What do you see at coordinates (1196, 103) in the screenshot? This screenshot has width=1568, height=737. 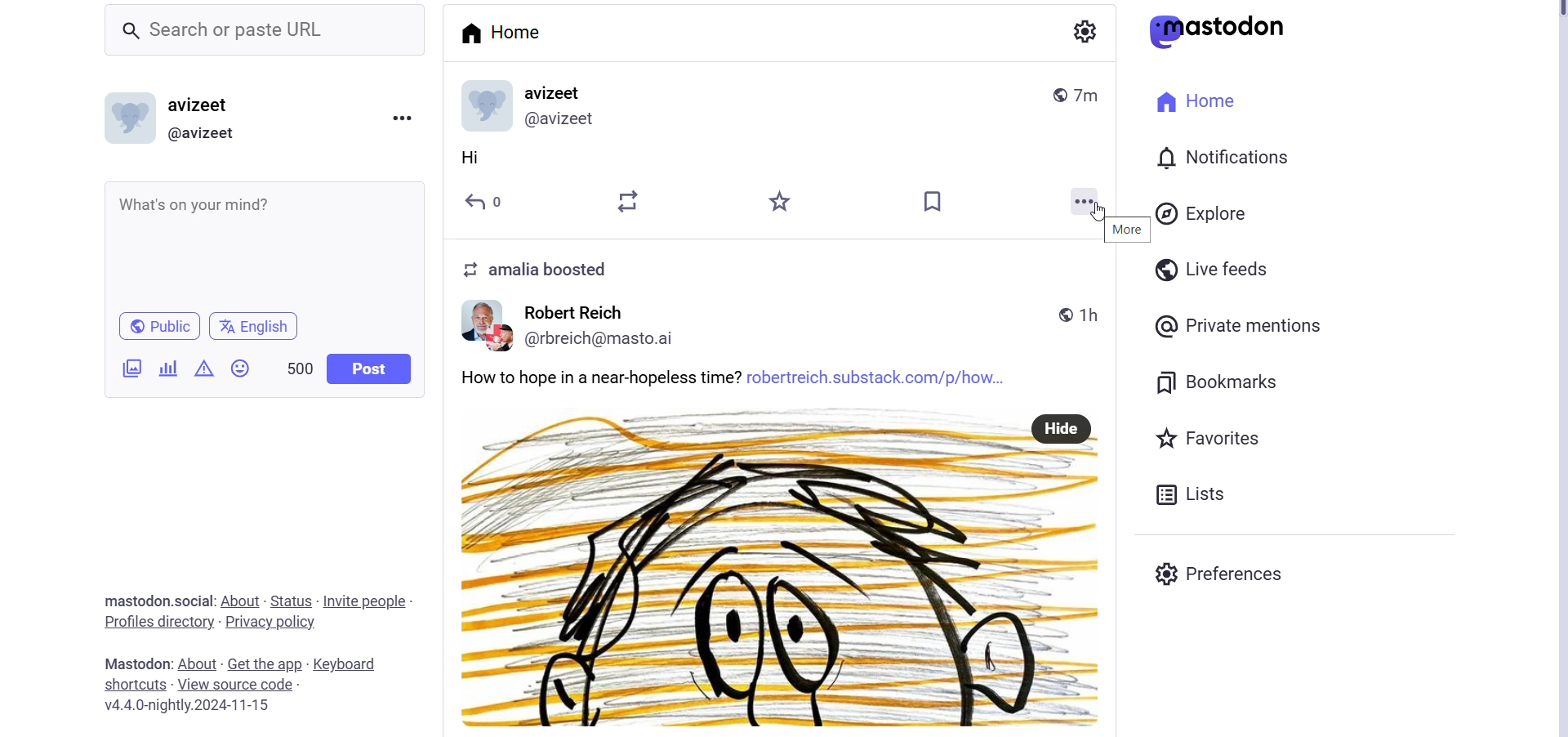 I see `Home` at bounding box center [1196, 103].